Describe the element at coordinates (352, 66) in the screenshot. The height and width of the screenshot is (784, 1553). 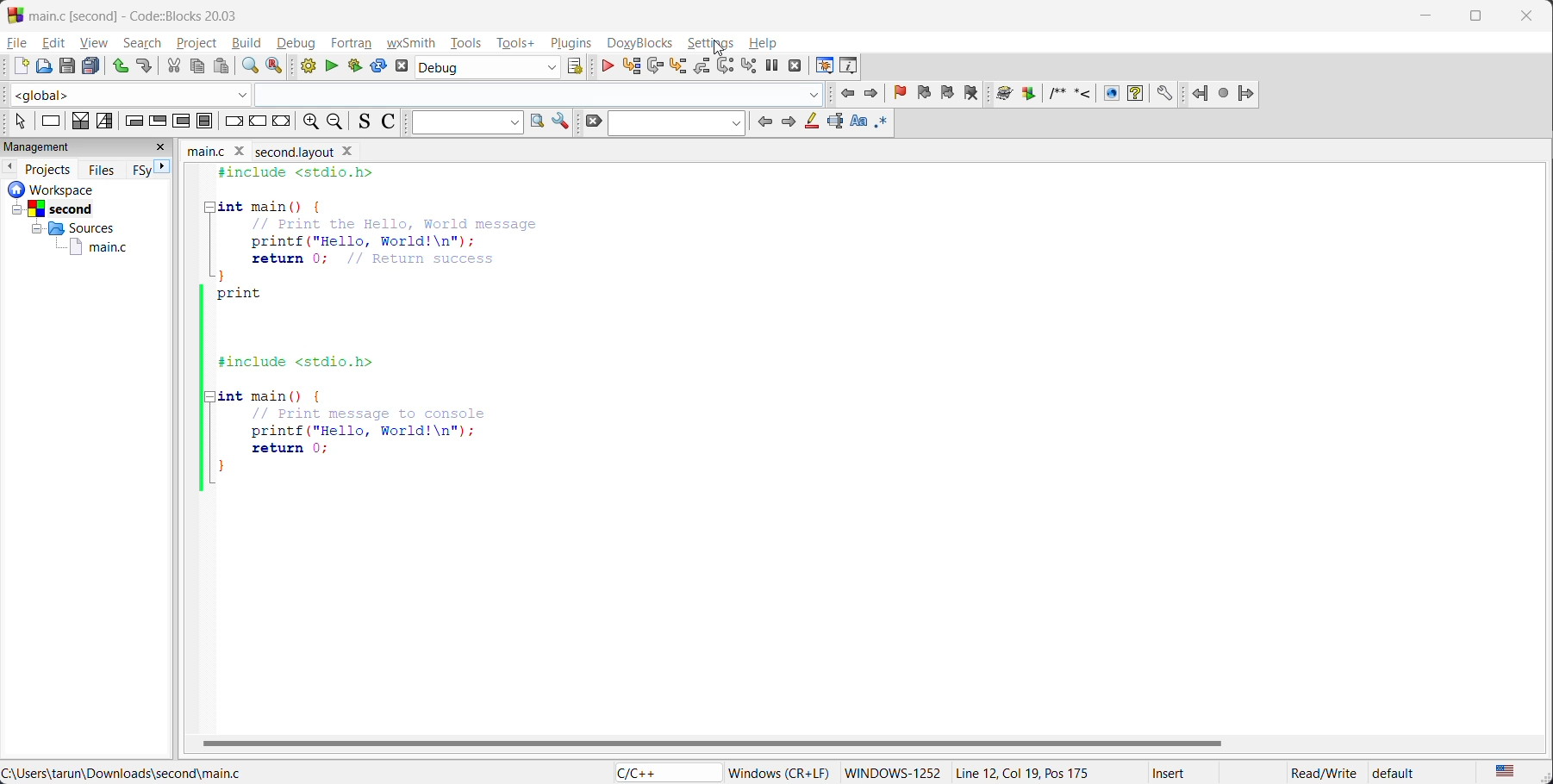
I see `build and run` at that location.